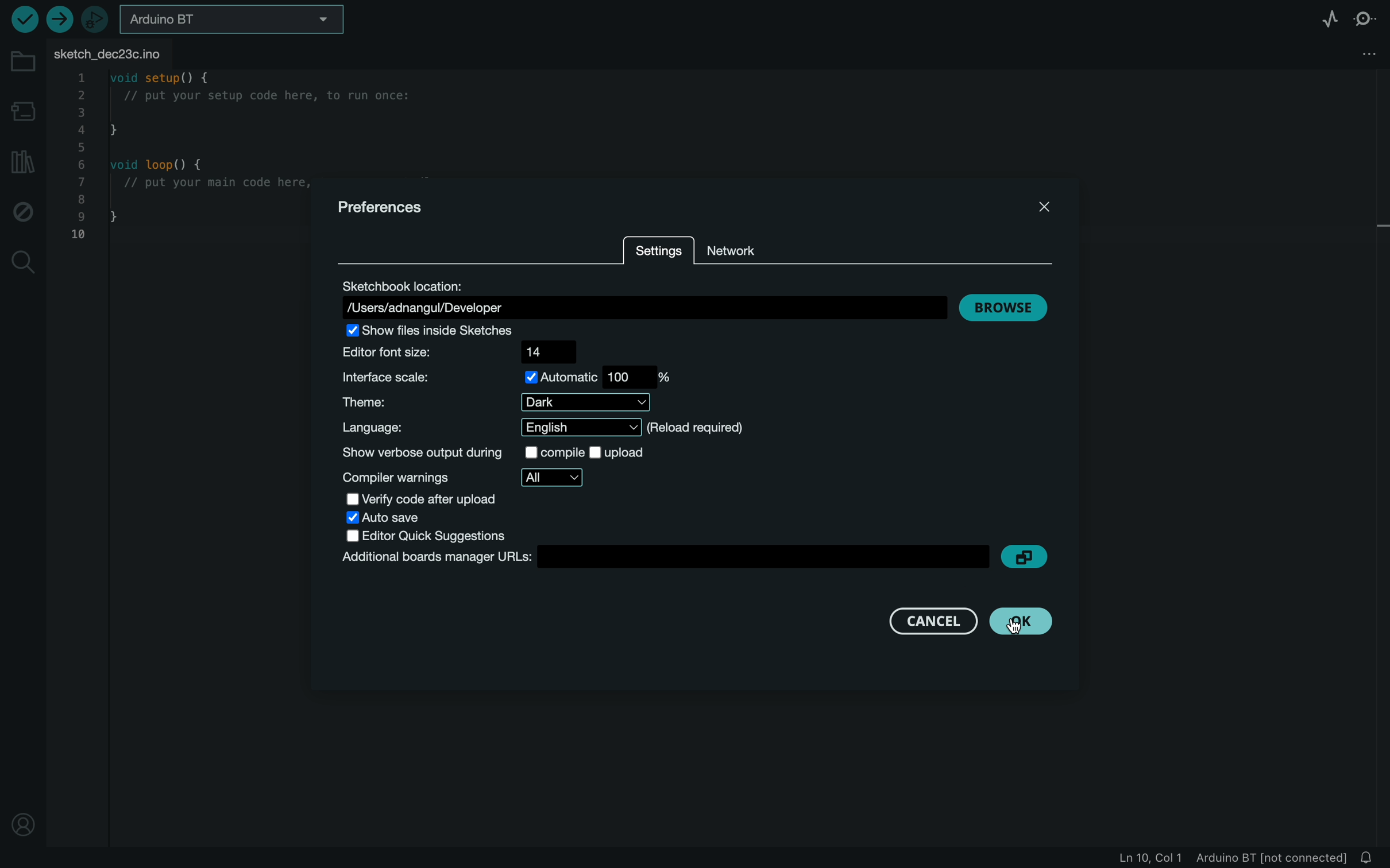 The image size is (1390, 868). What do you see at coordinates (1020, 622) in the screenshot?
I see `clicked` at bounding box center [1020, 622].